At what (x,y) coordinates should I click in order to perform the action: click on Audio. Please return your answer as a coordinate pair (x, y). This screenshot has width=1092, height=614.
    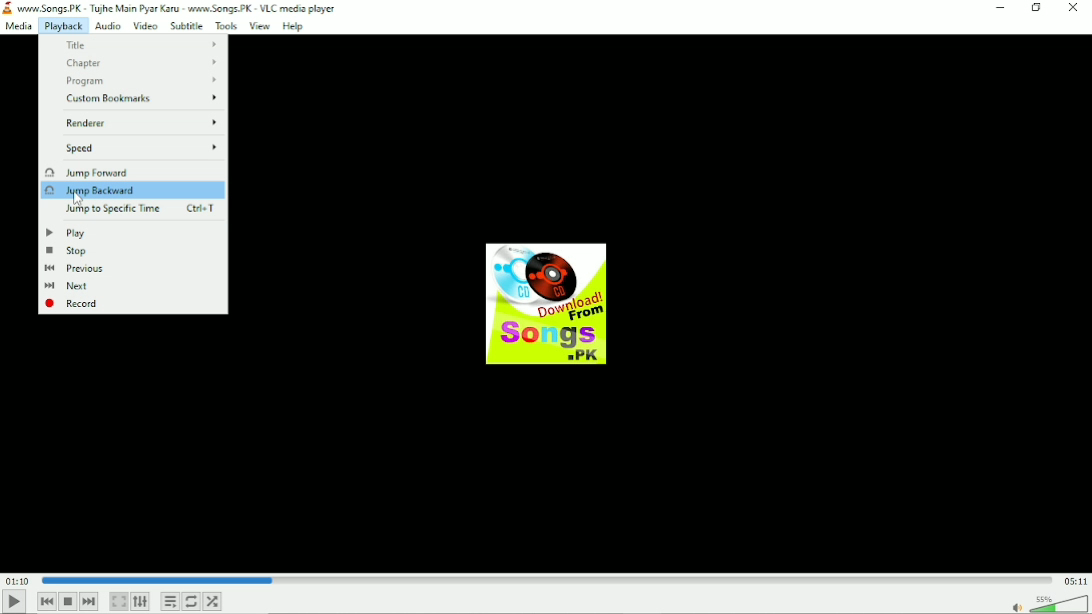
    Looking at the image, I should click on (107, 26).